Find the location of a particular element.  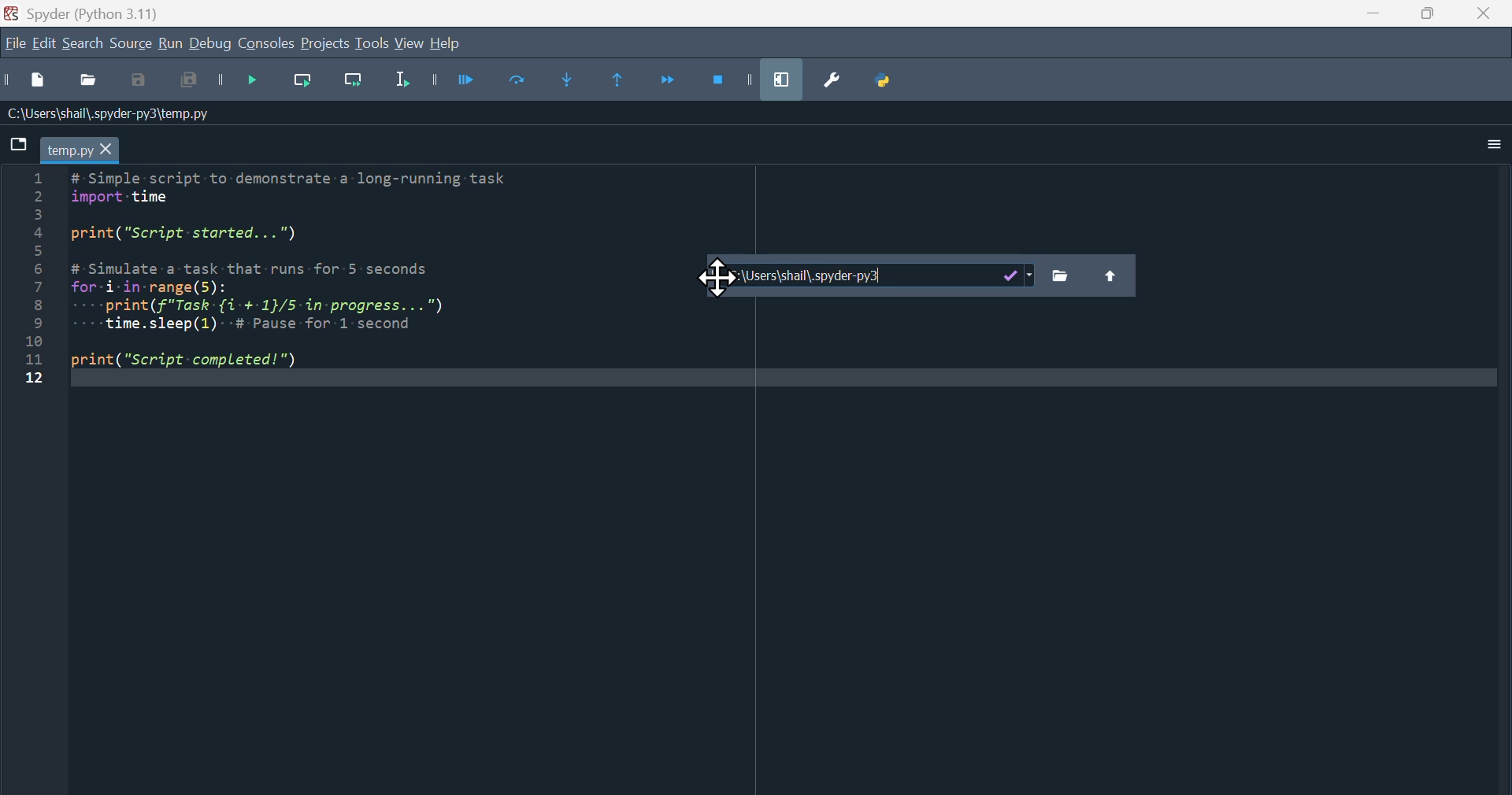

Name of the file is located at coordinates (109, 112).